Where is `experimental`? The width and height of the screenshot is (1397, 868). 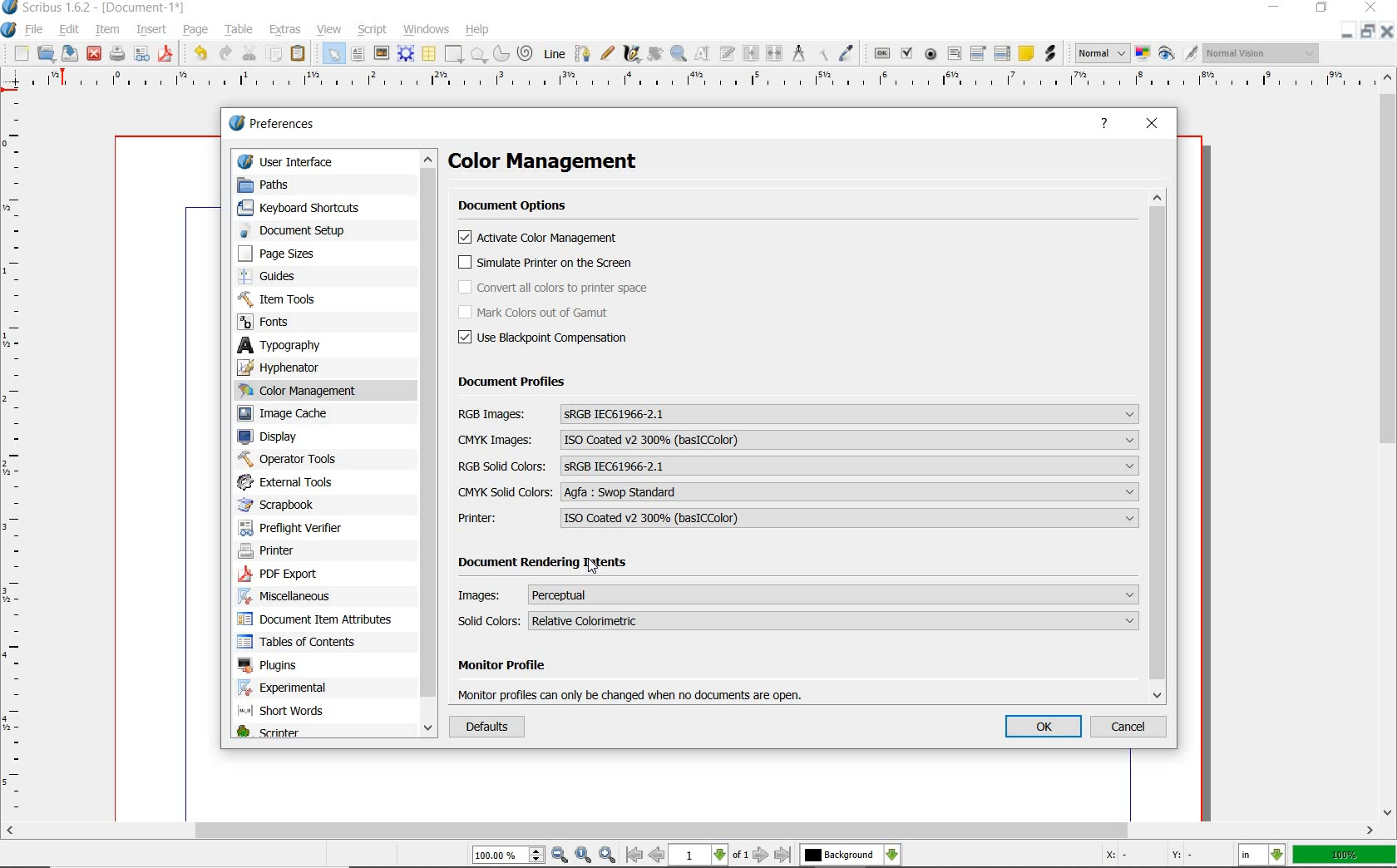
experimental is located at coordinates (305, 687).